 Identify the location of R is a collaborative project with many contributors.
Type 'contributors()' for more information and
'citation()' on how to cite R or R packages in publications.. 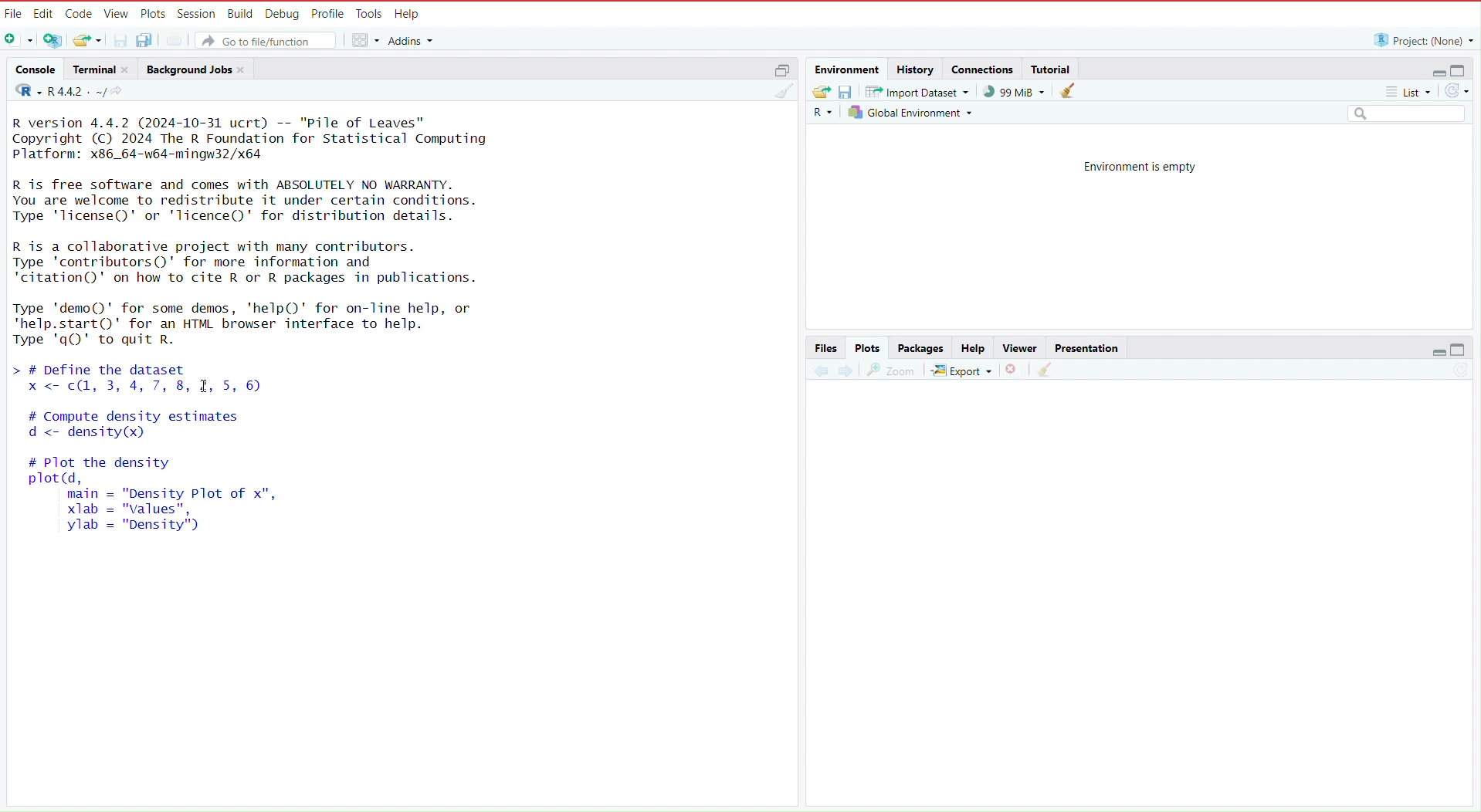
(256, 262).